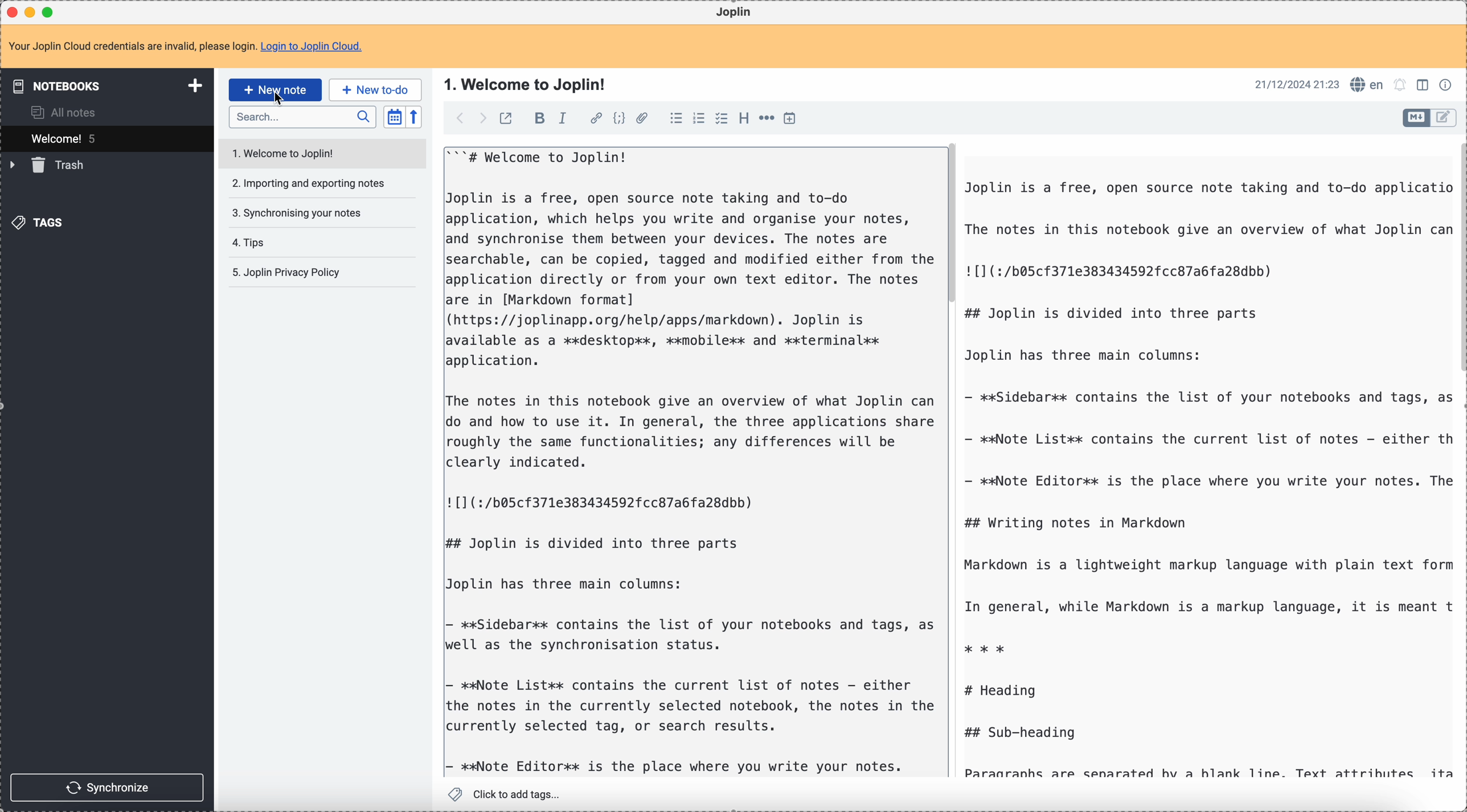 The height and width of the screenshot is (812, 1467). What do you see at coordinates (103, 87) in the screenshot?
I see `notebooks` at bounding box center [103, 87].